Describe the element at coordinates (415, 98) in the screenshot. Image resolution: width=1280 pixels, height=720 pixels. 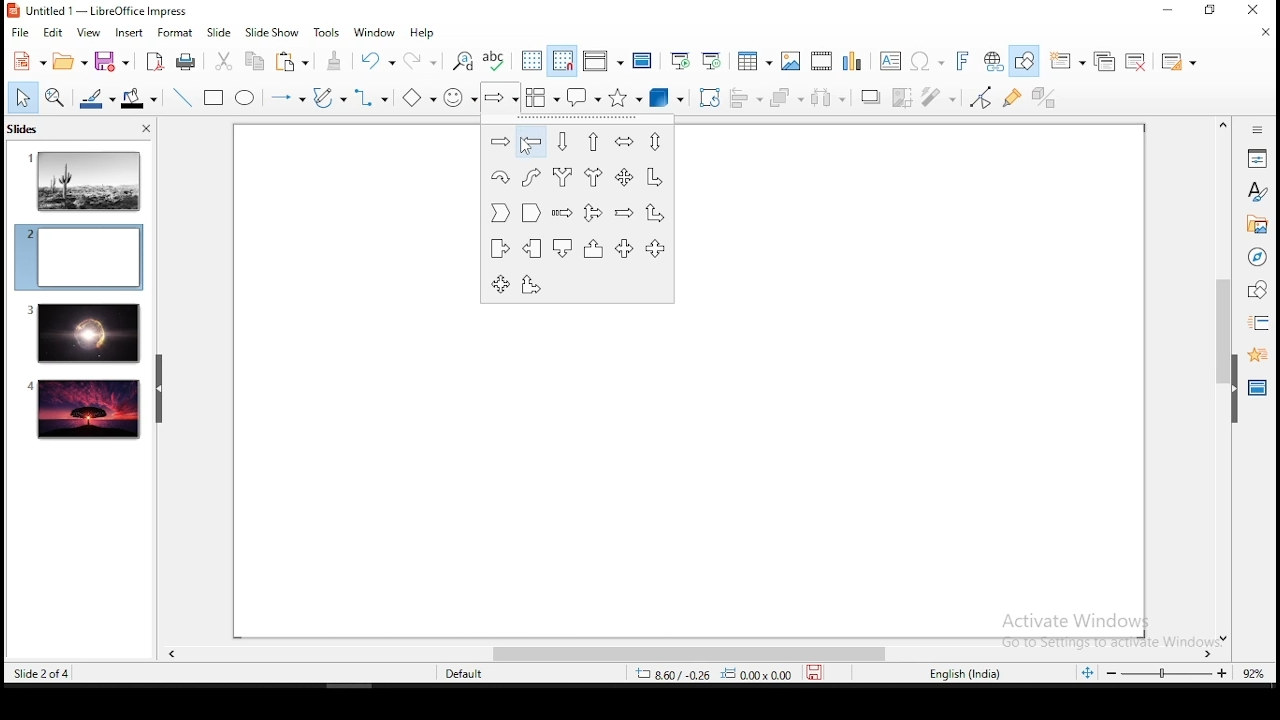
I see `basic shapes` at that location.